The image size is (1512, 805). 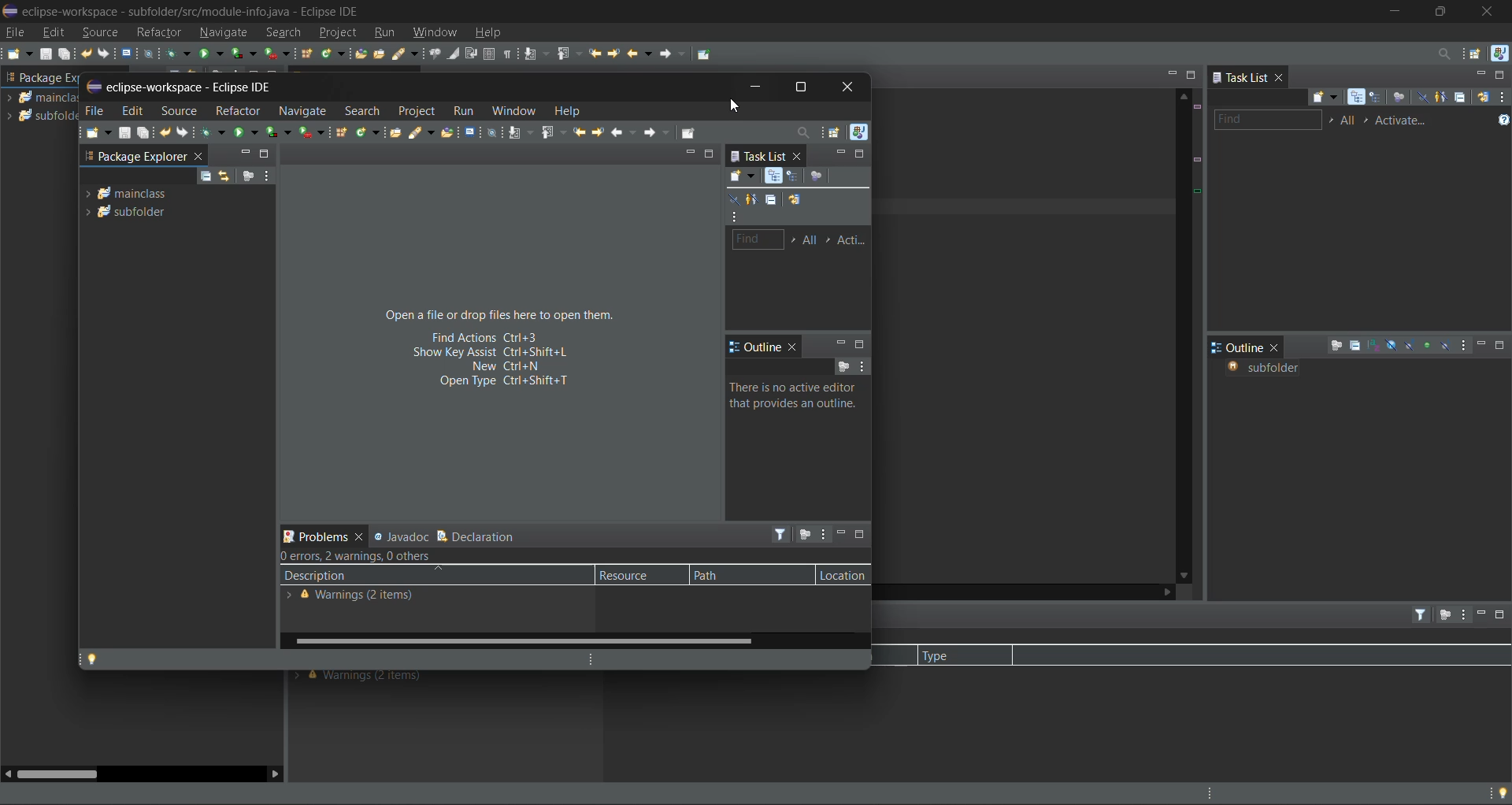 I want to click on toggle block selection, so click(x=487, y=54).